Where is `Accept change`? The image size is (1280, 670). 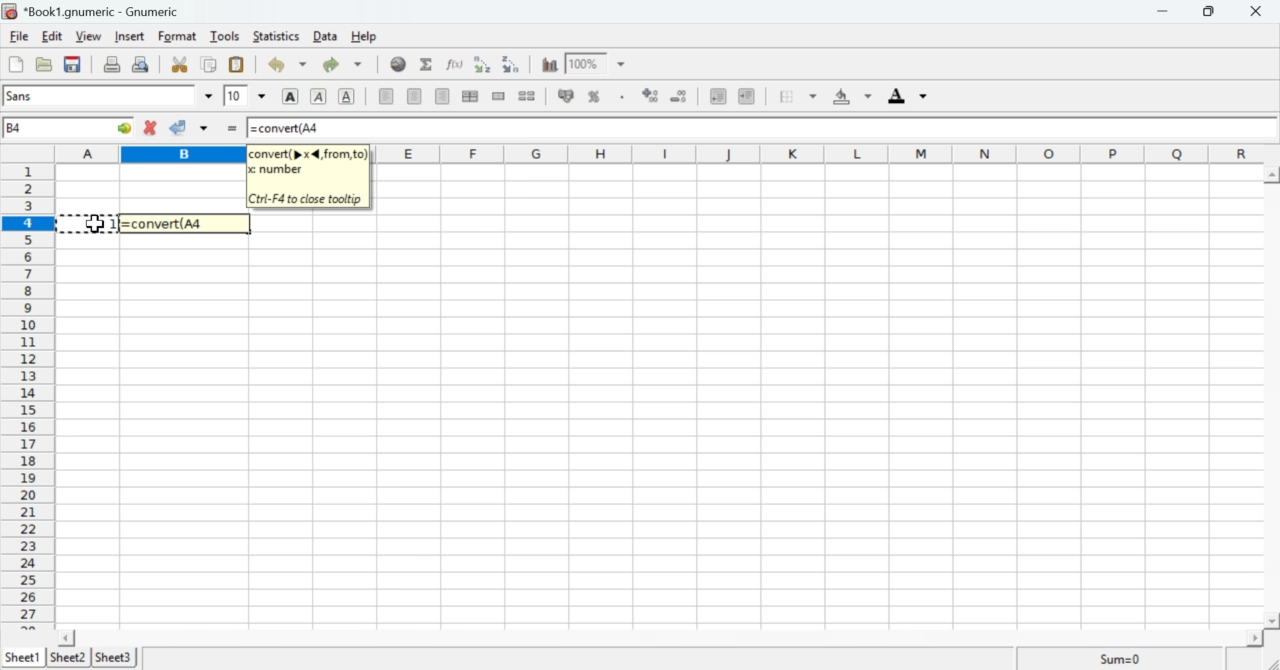 Accept change is located at coordinates (189, 128).